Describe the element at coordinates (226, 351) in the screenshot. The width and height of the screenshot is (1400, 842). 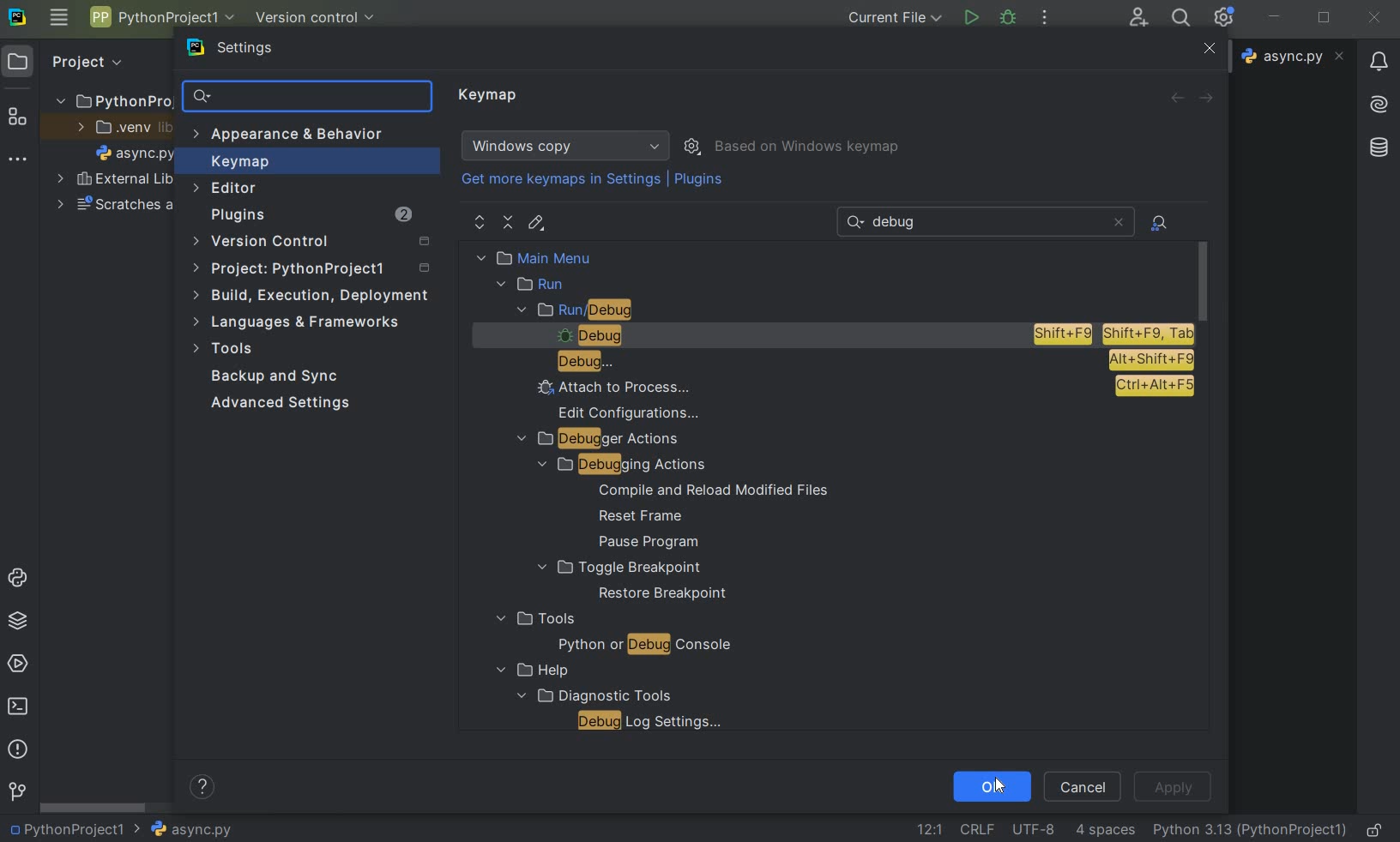
I see `tools` at that location.